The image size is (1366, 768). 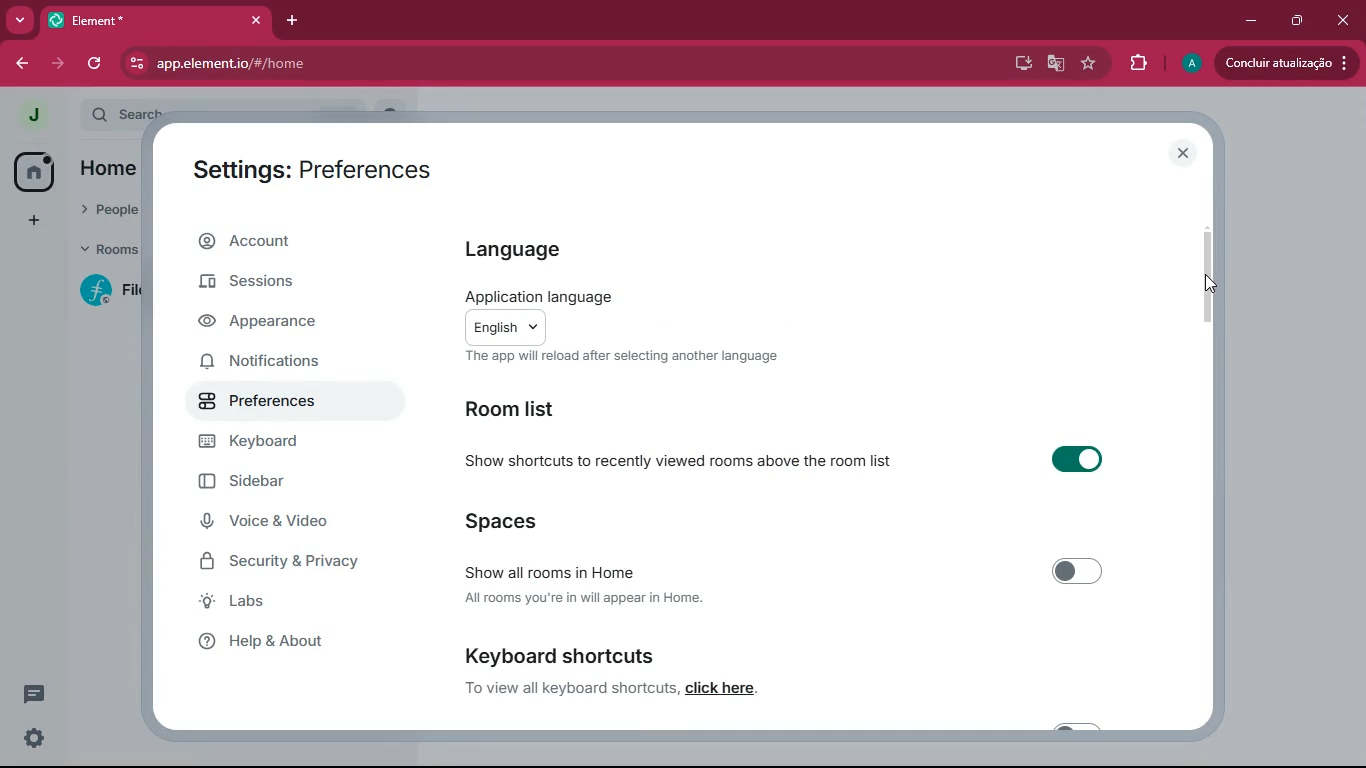 I want to click on back, so click(x=23, y=64).